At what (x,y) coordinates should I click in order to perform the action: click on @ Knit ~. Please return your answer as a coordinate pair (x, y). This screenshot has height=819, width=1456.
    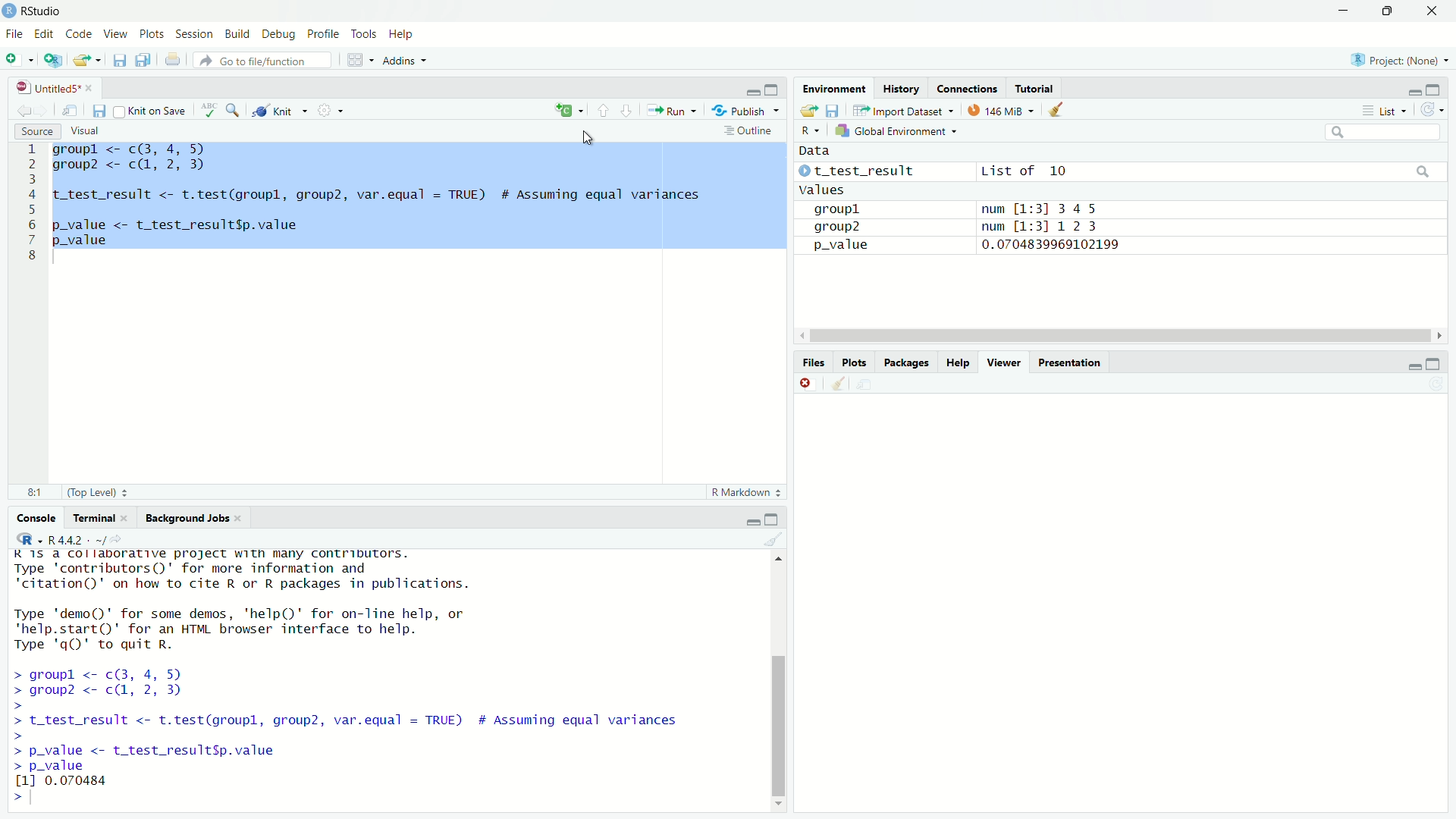
    Looking at the image, I should click on (278, 111).